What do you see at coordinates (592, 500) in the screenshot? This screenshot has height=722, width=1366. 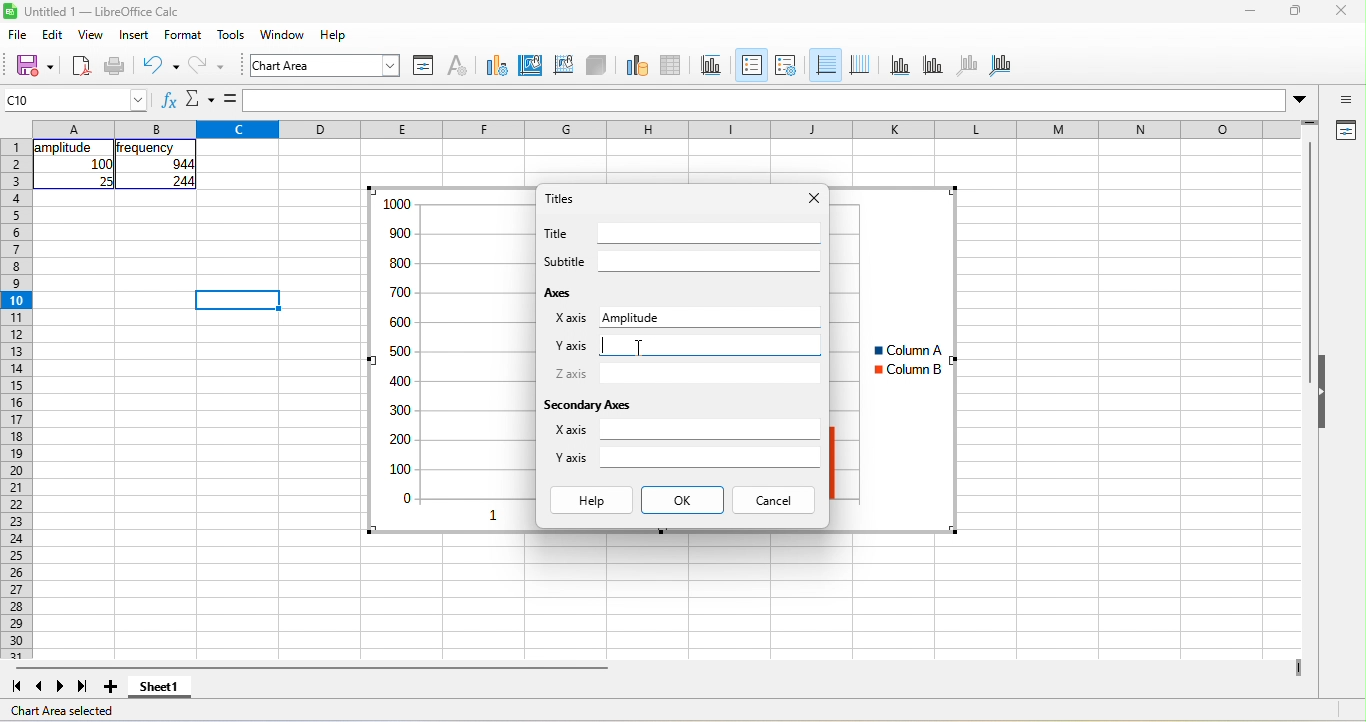 I see `help` at bounding box center [592, 500].